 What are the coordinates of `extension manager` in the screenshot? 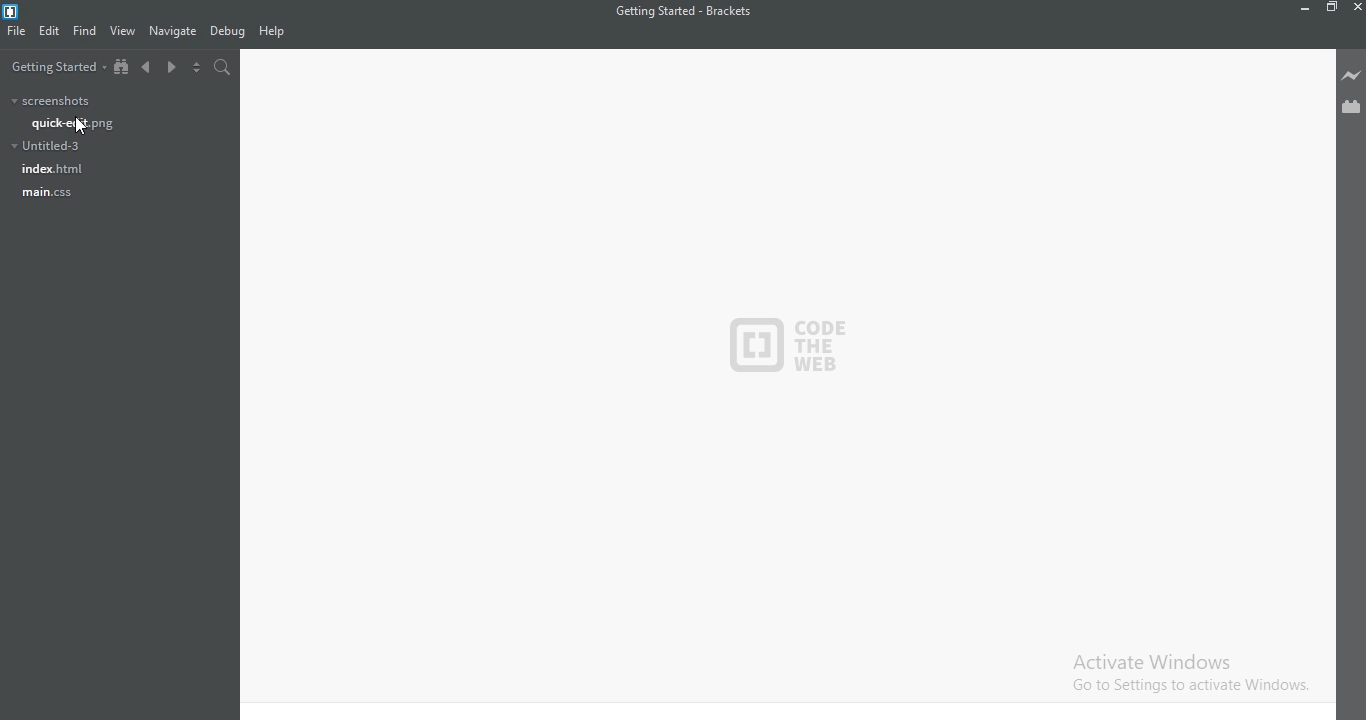 It's located at (1352, 109).